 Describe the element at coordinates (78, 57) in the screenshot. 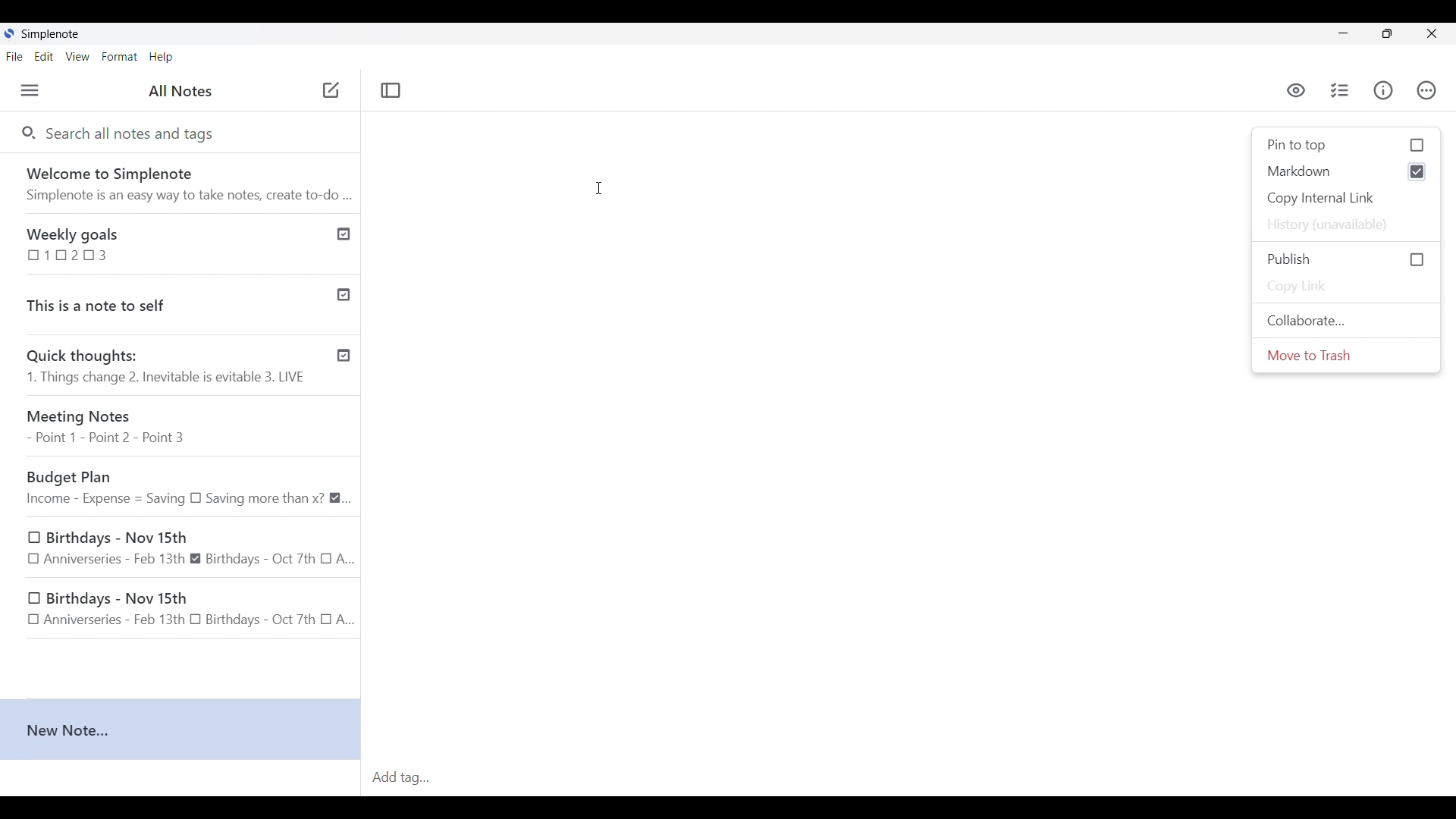

I see `View menu` at that location.